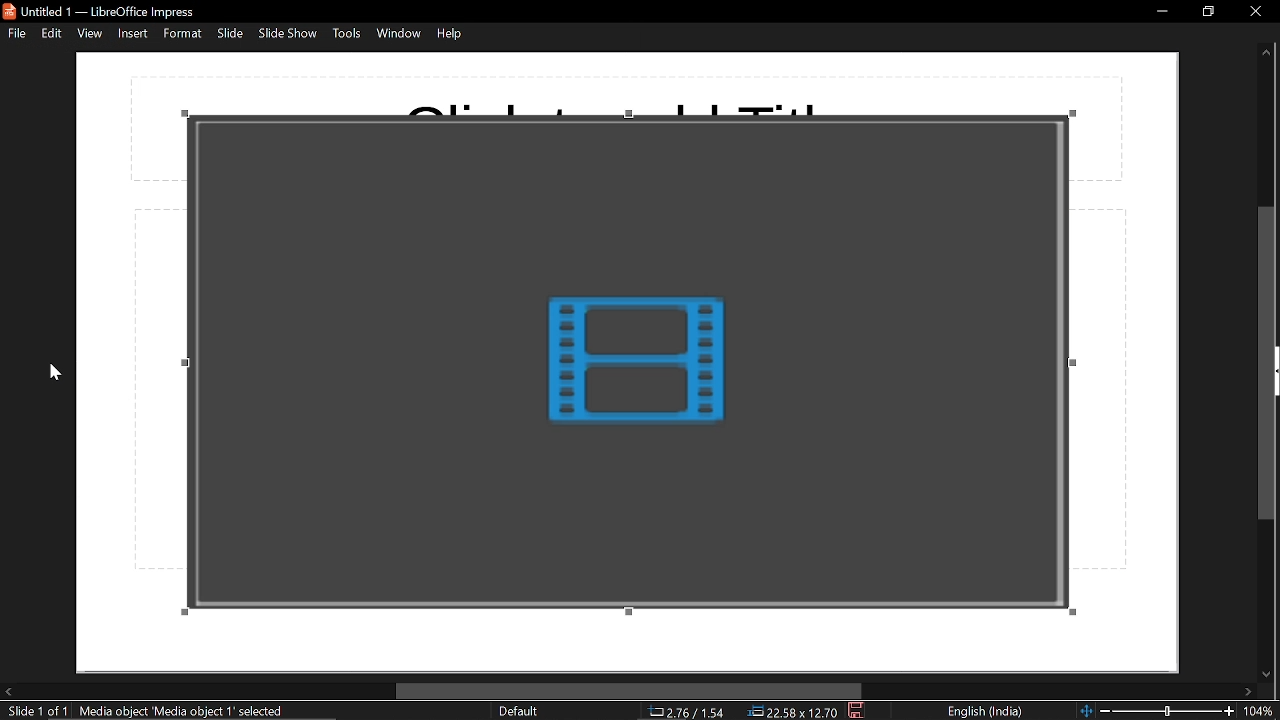 The height and width of the screenshot is (720, 1280). I want to click on slideshow, so click(289, 34).